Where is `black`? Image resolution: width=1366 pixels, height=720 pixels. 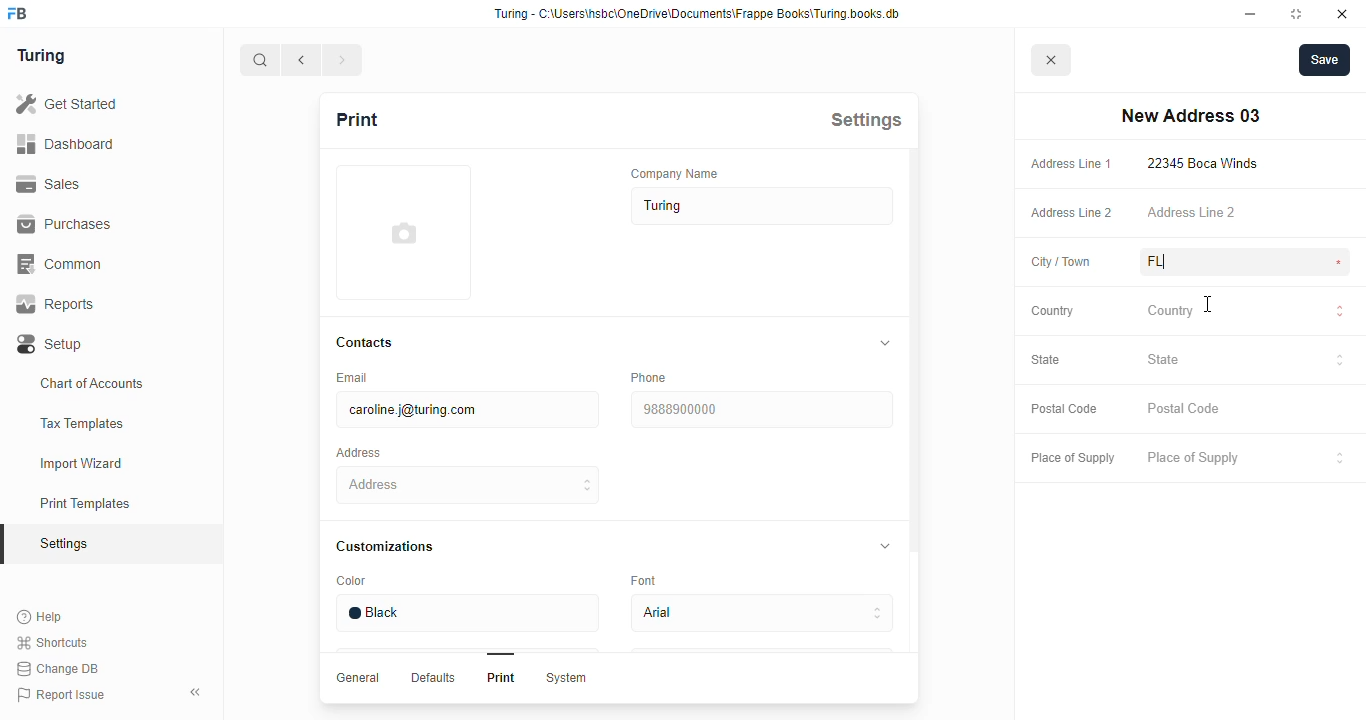
black is located at coordinates (466, 613).